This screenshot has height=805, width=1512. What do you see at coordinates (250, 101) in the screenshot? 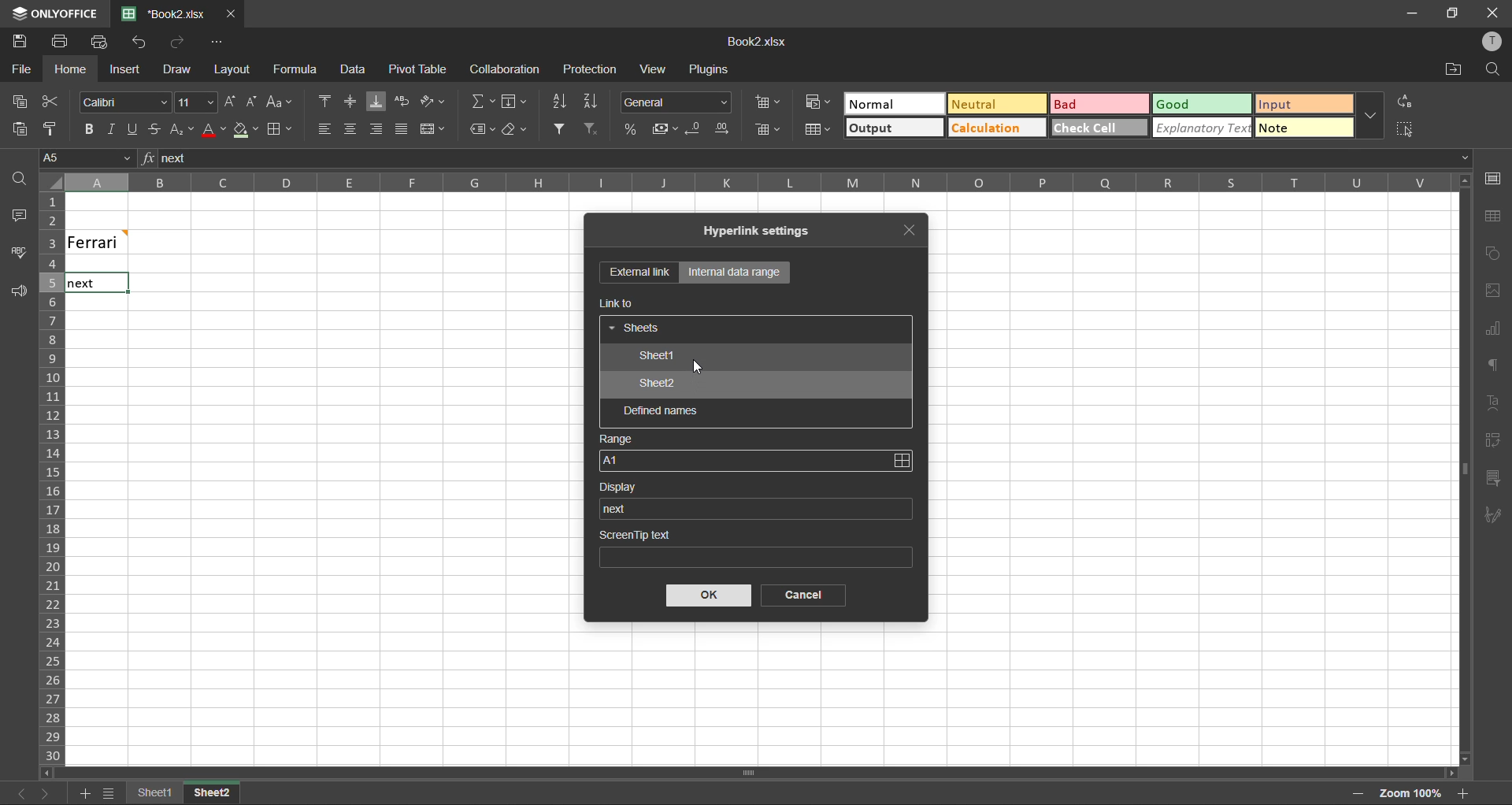
I see `decrement size` at bounding box center [250, 101].